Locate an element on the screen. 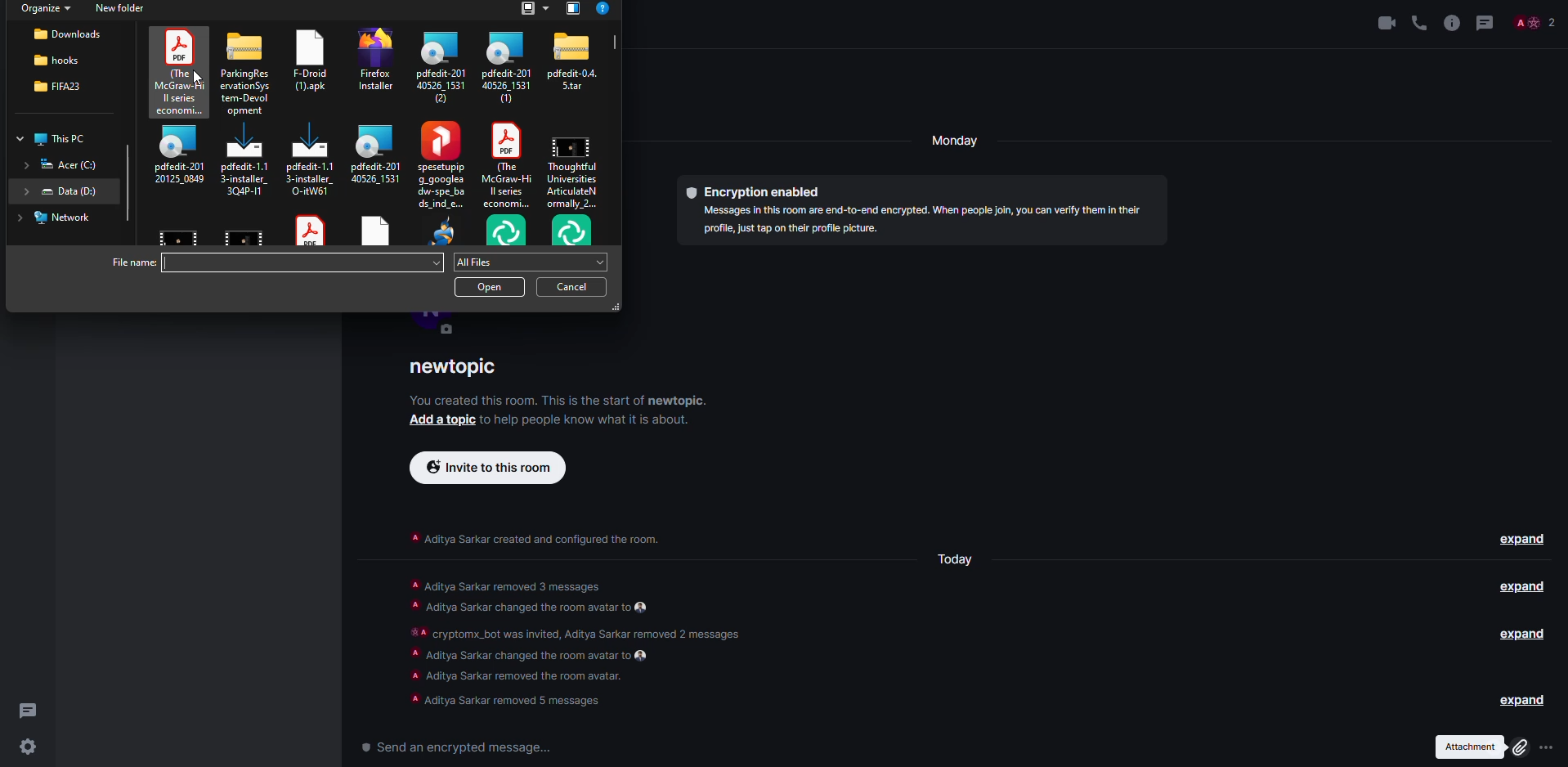 The width and height of the screenshot is (1568, 767). location is located at coordinates (69, 87).